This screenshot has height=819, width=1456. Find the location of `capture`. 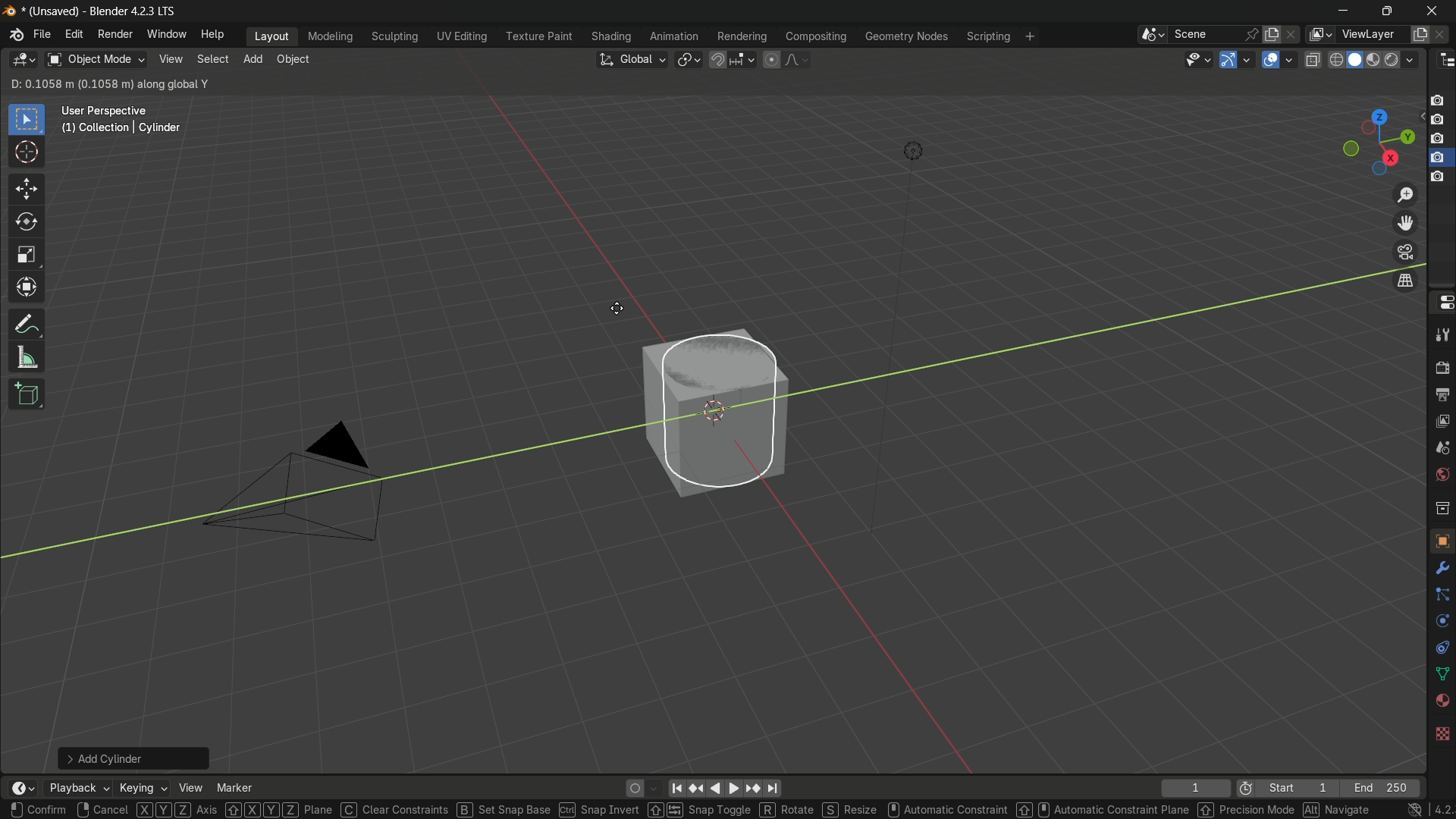

capture is located at coordinates (1439, 121).